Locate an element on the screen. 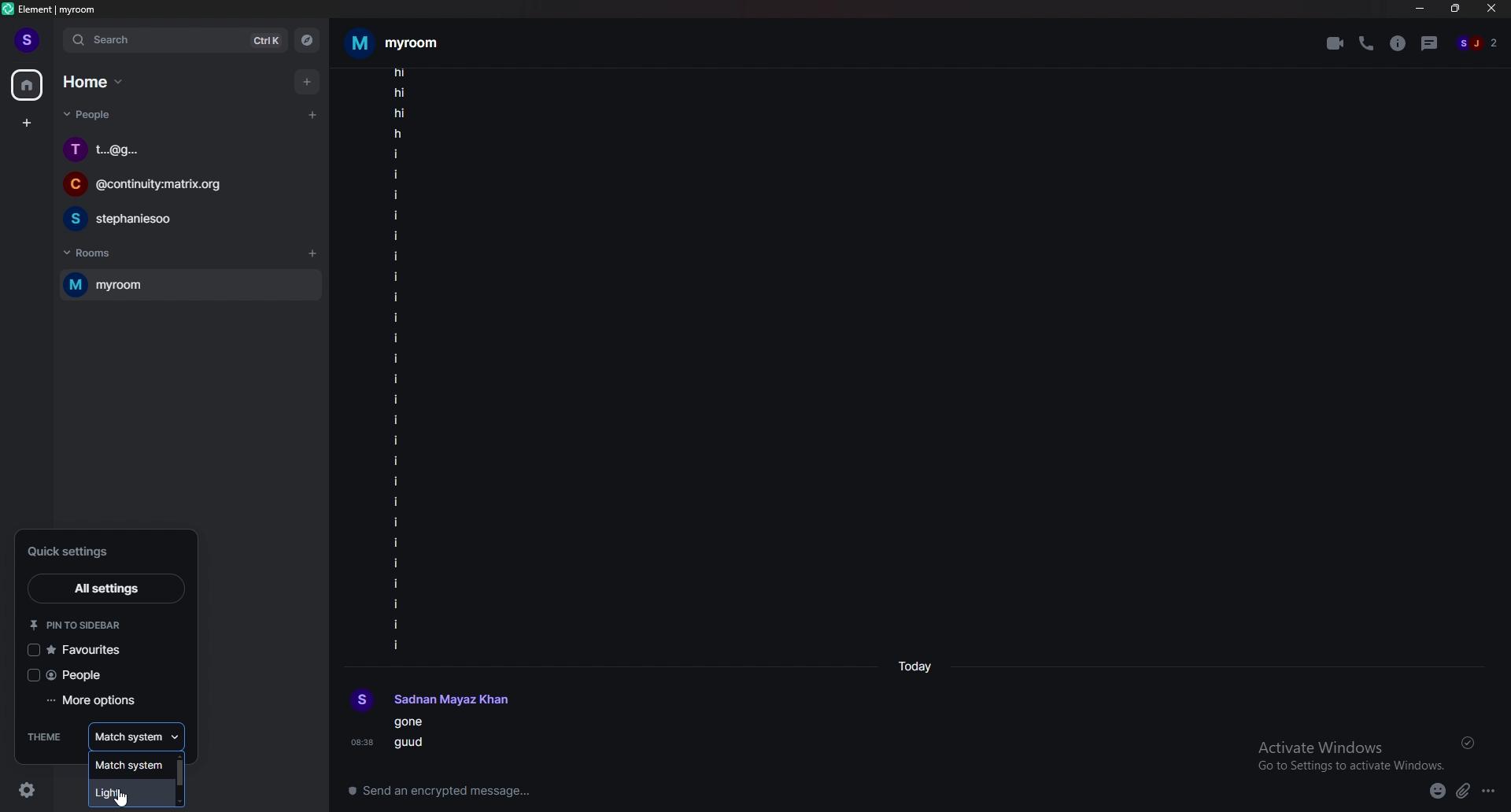  threads is located at coordinates (1430, 43).